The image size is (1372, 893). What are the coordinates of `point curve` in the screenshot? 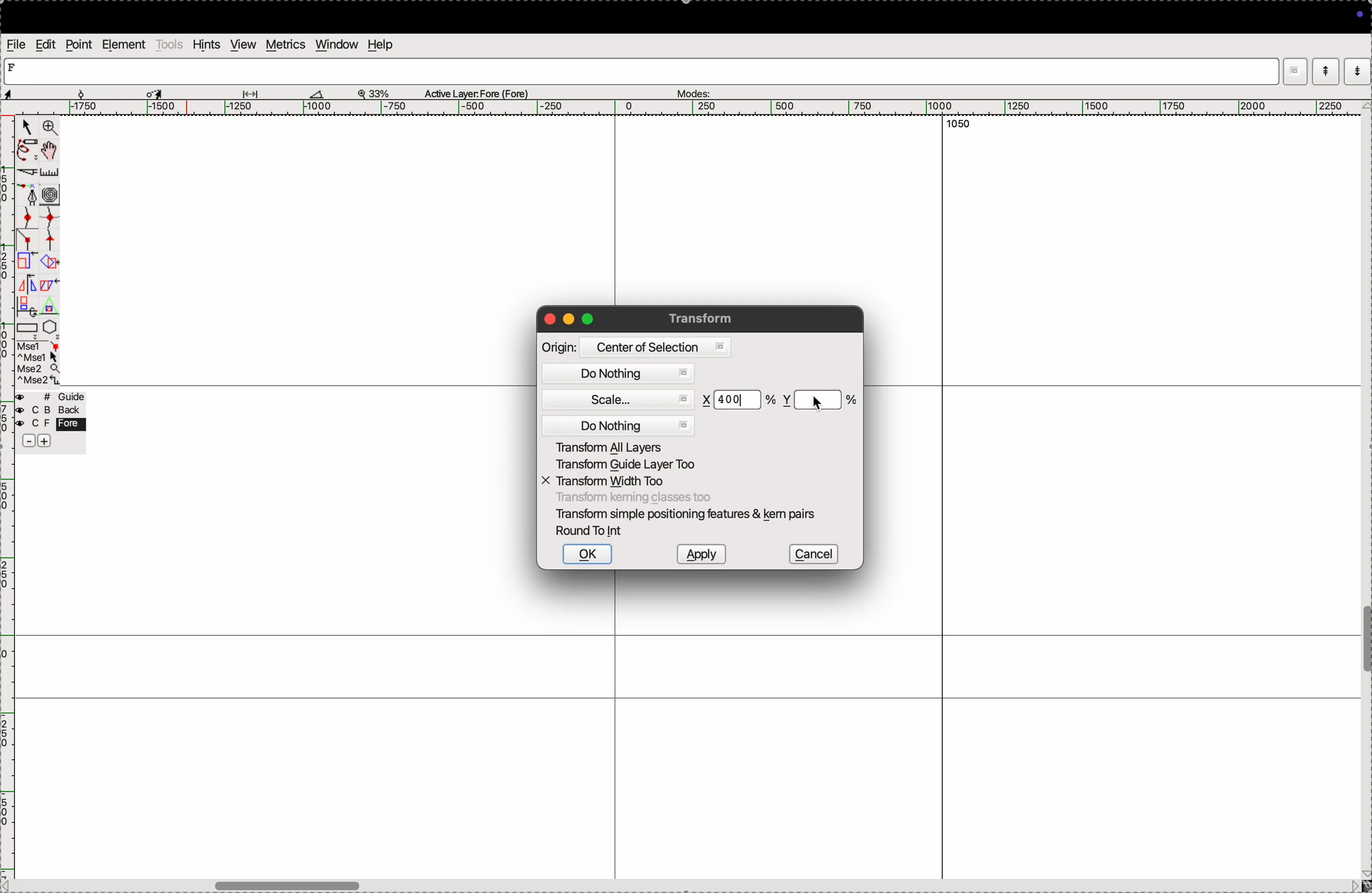 It's located at (29, 218).